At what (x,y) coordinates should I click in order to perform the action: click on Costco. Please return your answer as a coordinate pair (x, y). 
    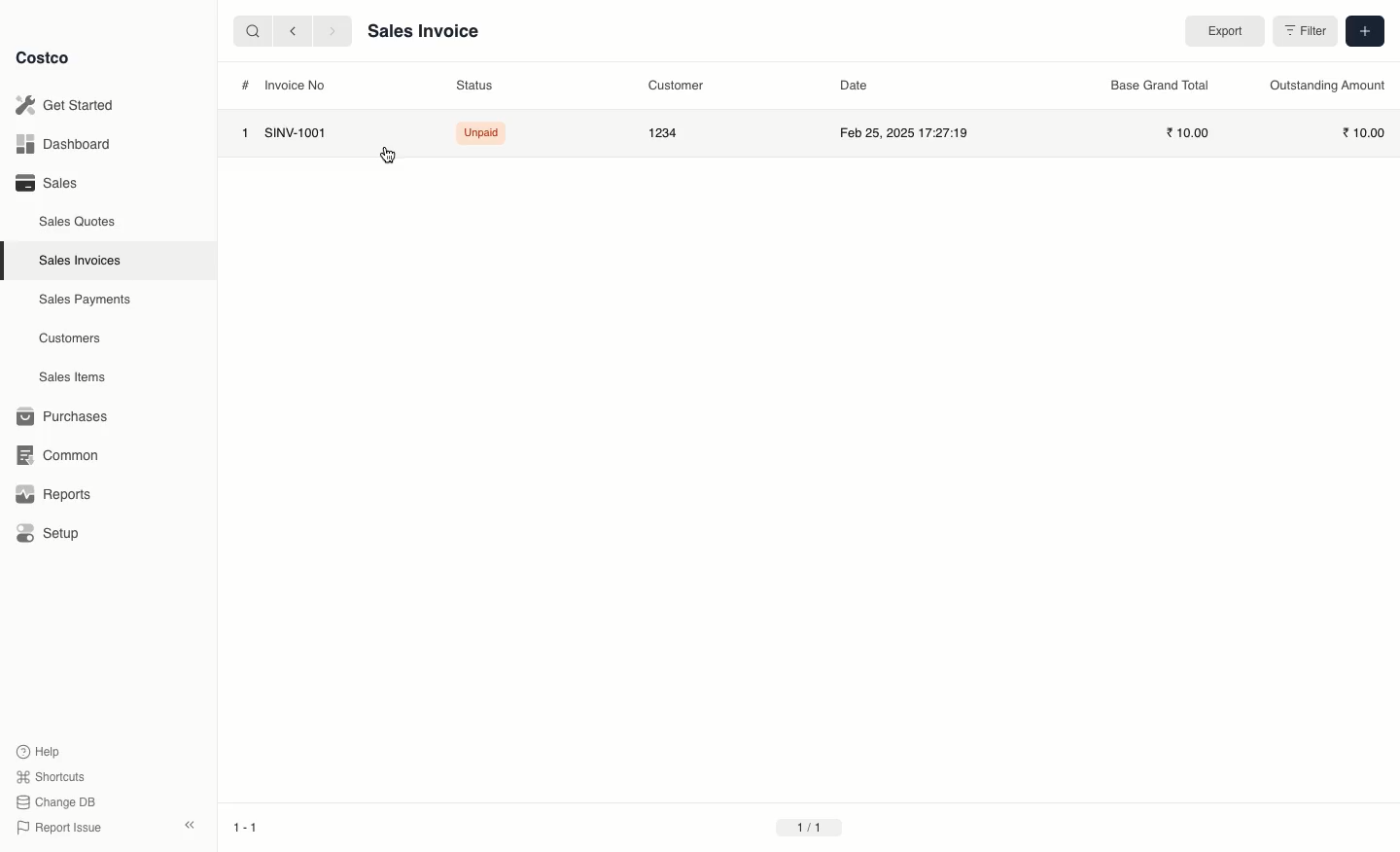
    Looking at the image, I should click on (45, 57).